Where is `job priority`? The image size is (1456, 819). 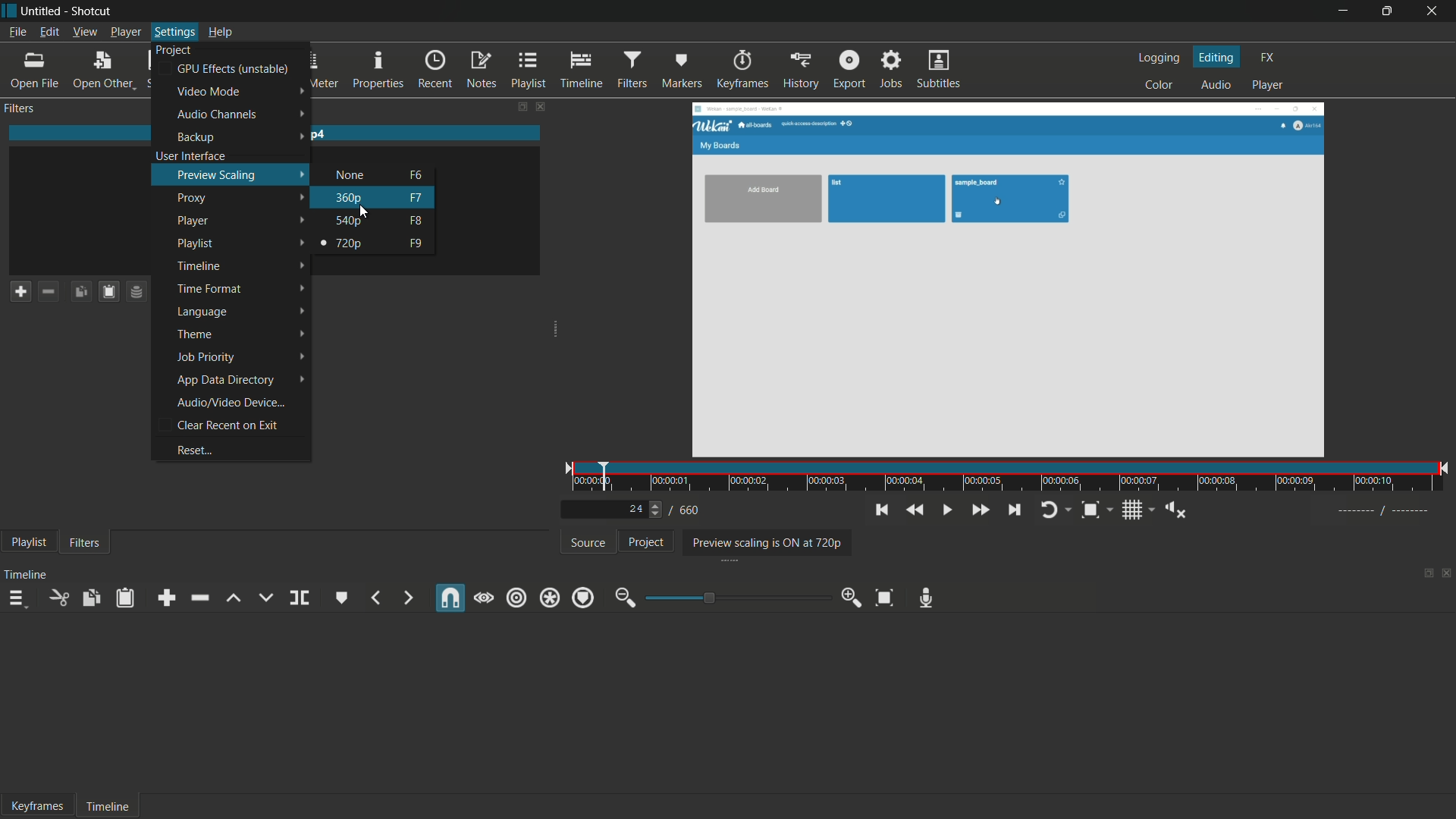
job priority is located at coordinates (204, 357).